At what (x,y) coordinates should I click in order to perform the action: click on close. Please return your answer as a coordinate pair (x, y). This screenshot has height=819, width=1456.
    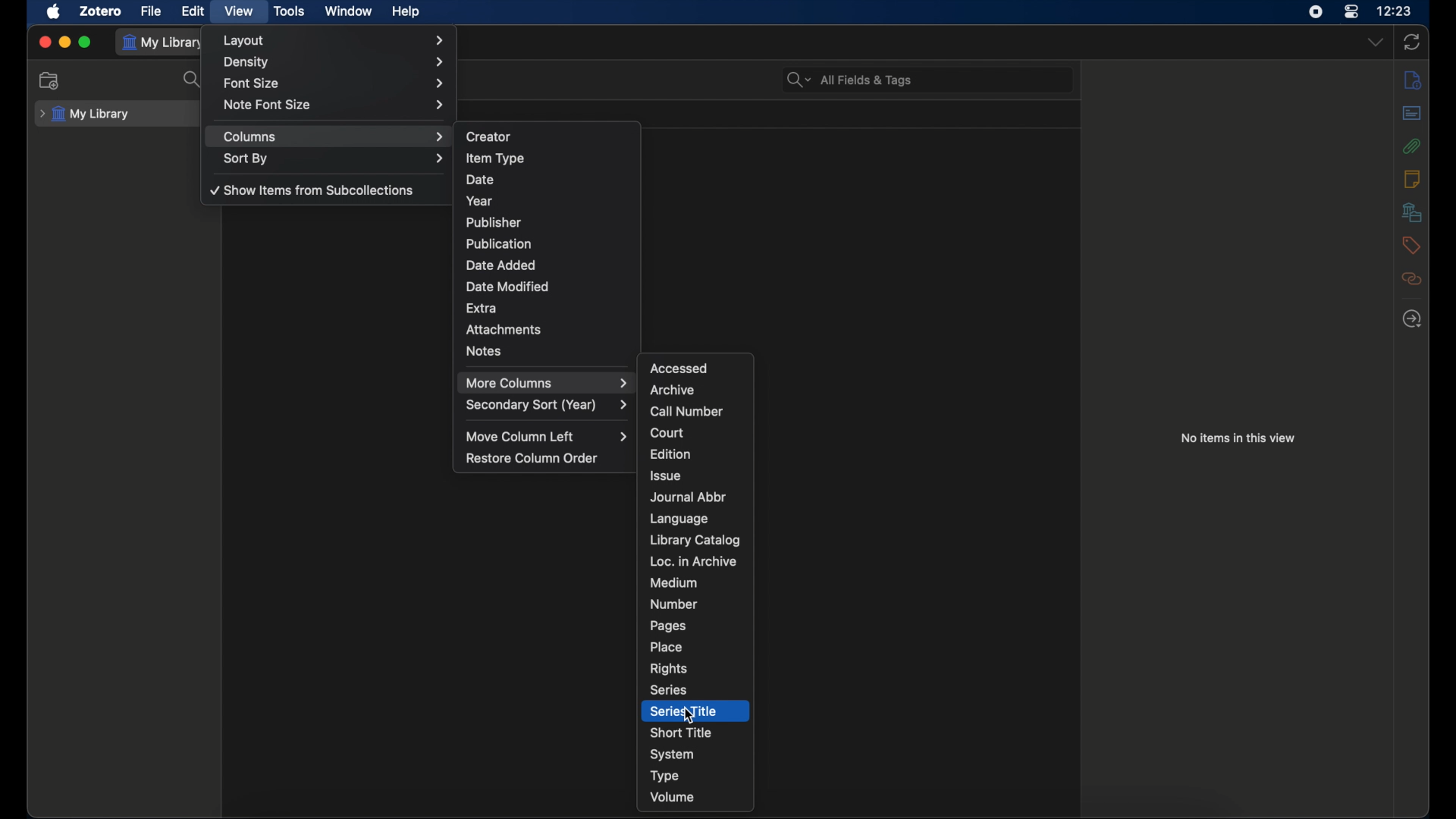
    Looking at the image, I should click on (45, 42).